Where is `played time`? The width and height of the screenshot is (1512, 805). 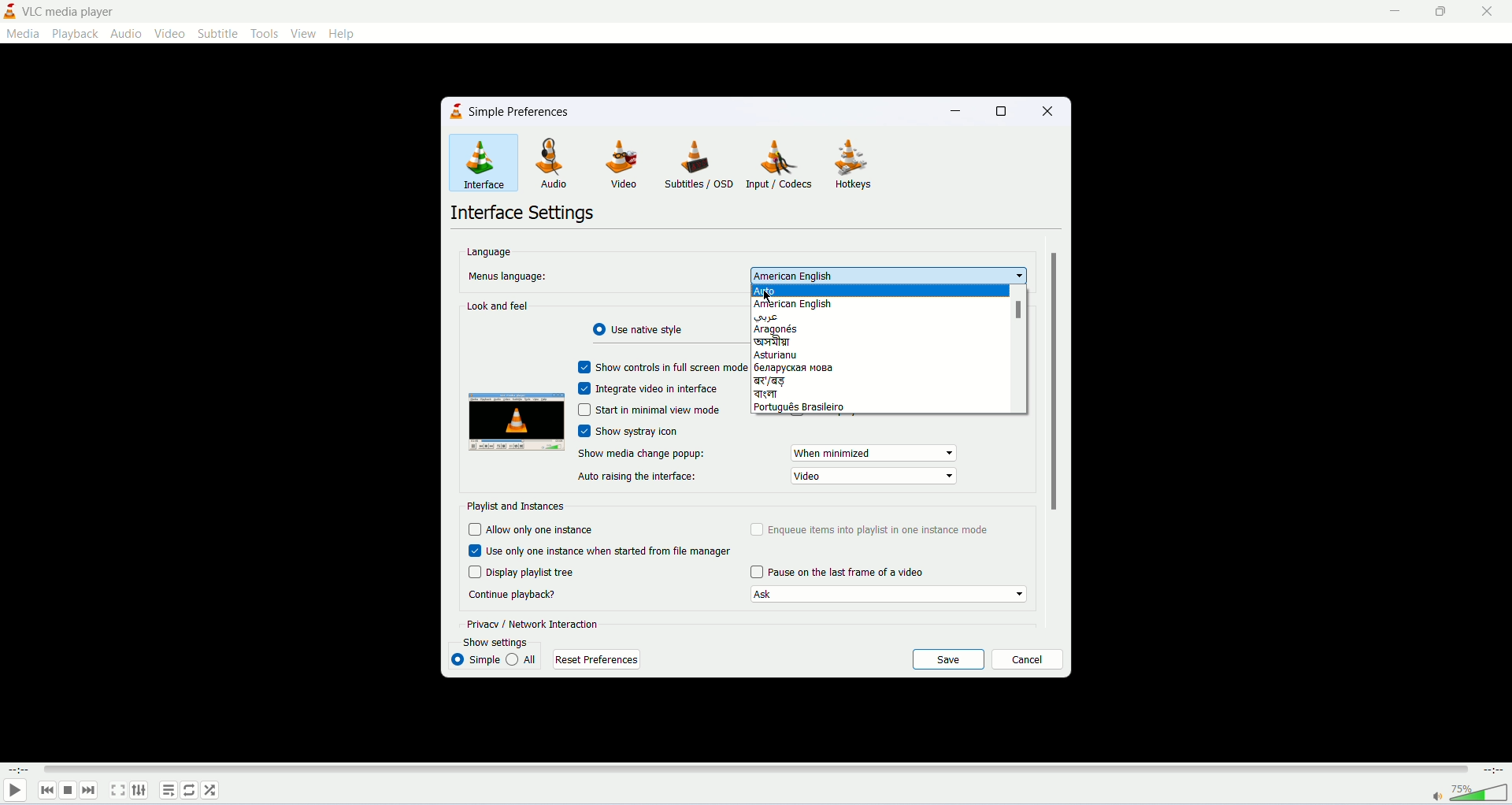 played time is located at coordinates (20, 770).